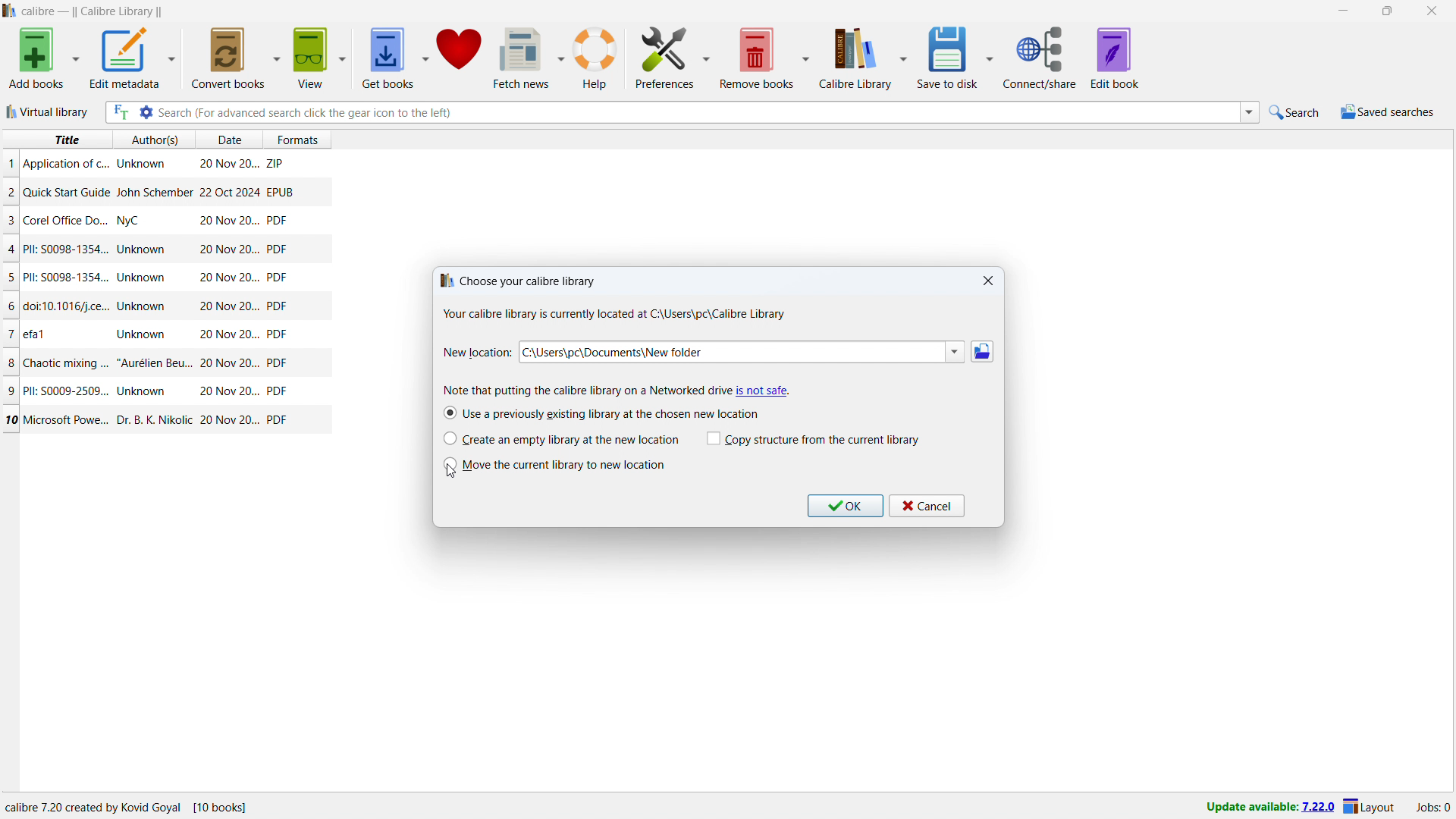 The width and height of the screenshot is (1456, 819). What do you see at coordinates (698, 112) in the screenshot?
I see `enter search string` at bounding box center [698, 112].